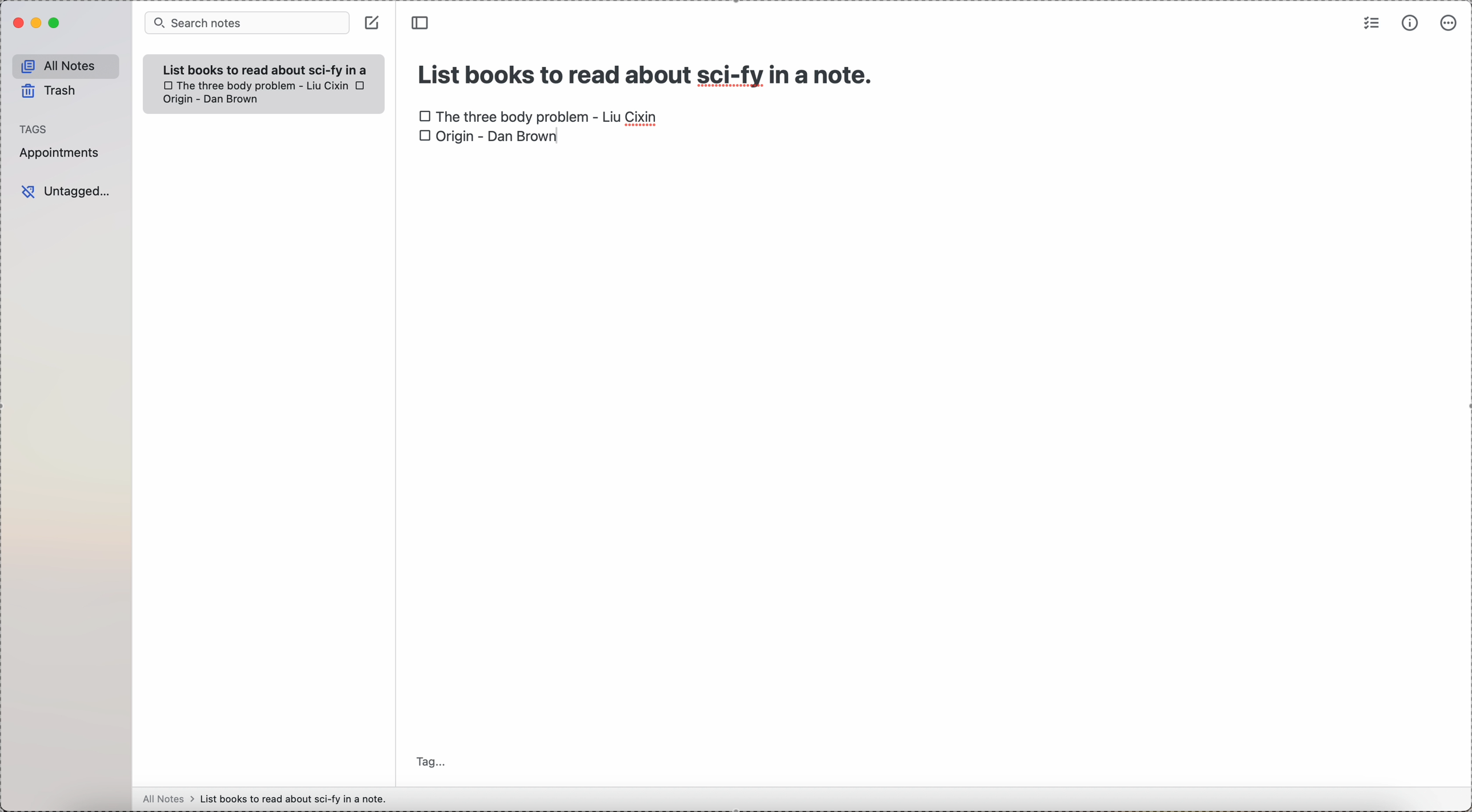 The height and width of the screenshot is (812, 1472). I want to click on checkbox, so click(362, 86).